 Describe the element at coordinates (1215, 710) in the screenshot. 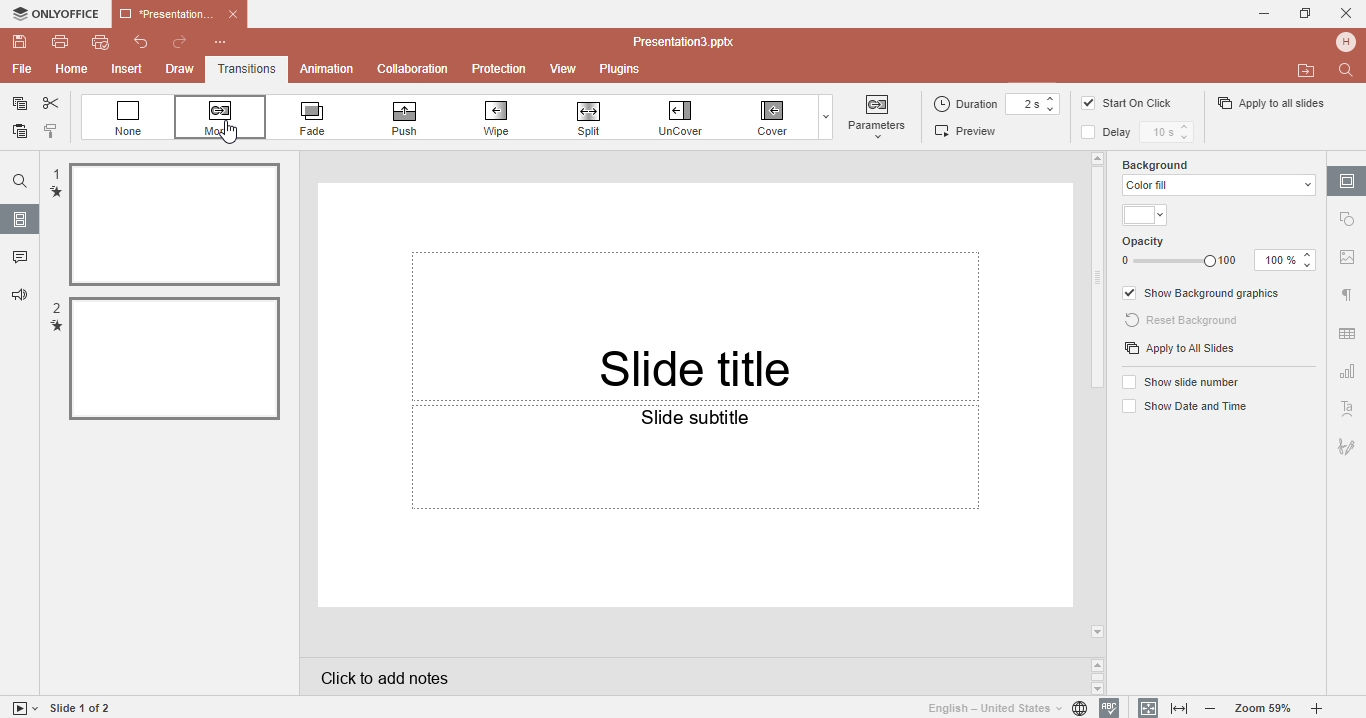

I see `Zoom out` at that location.